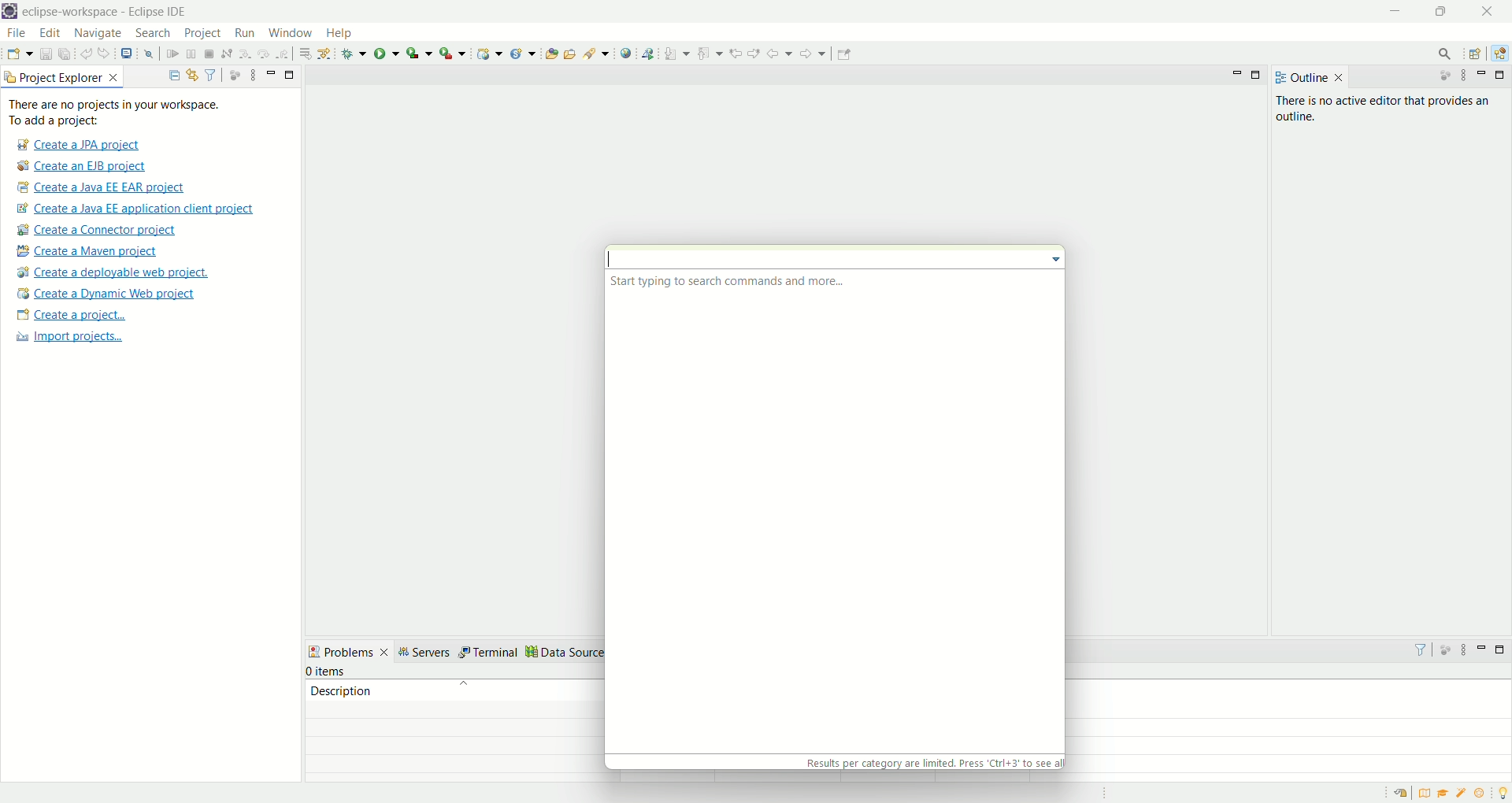 The image size is (1512, 803). What do you see at coordinates (106, 295) in the screenshot?
I see `create a dynamic web project` at bounding box center [106, 295].